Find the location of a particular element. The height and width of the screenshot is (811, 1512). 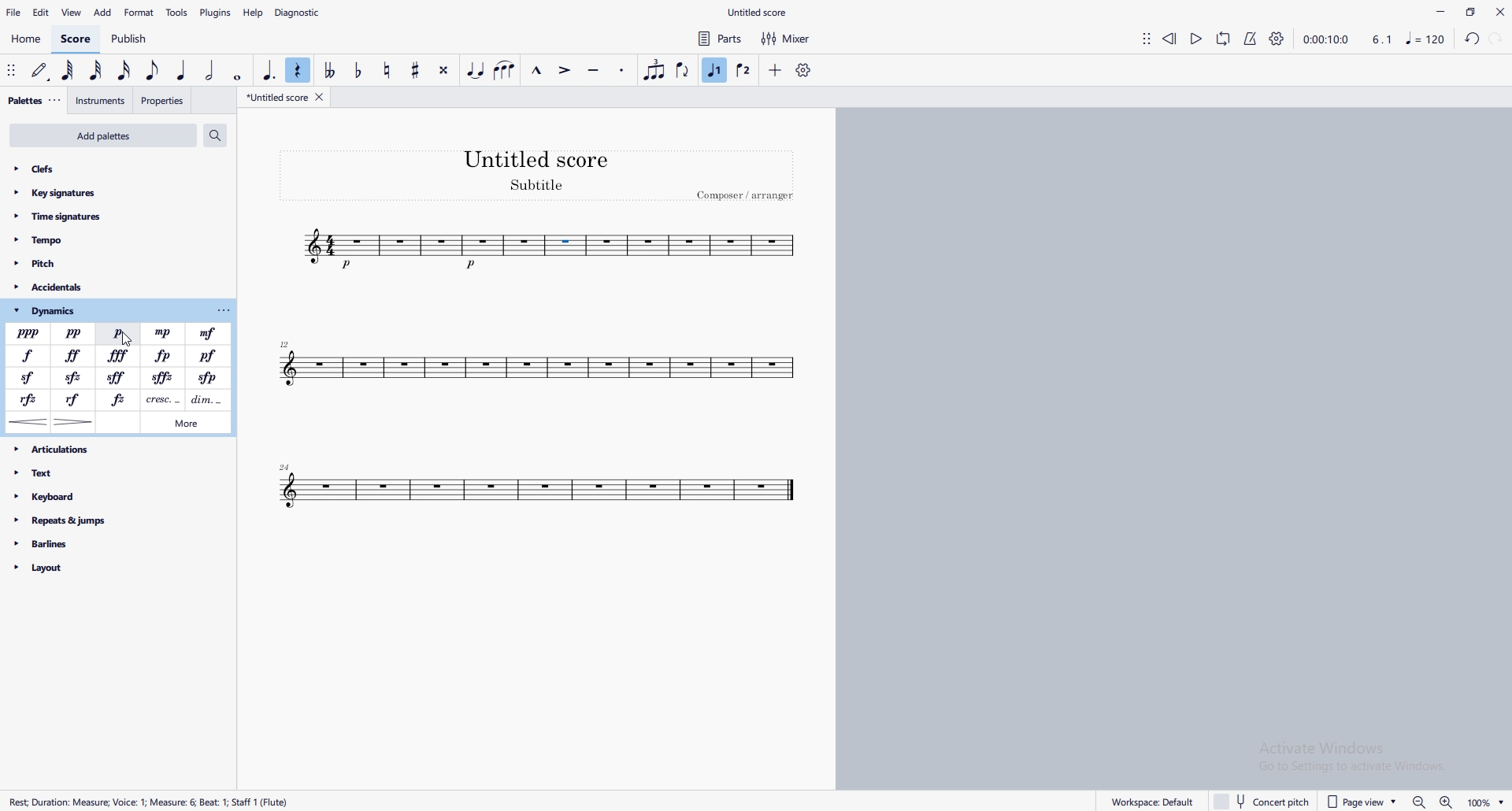

sforfando is located at coordinates (117, 376).